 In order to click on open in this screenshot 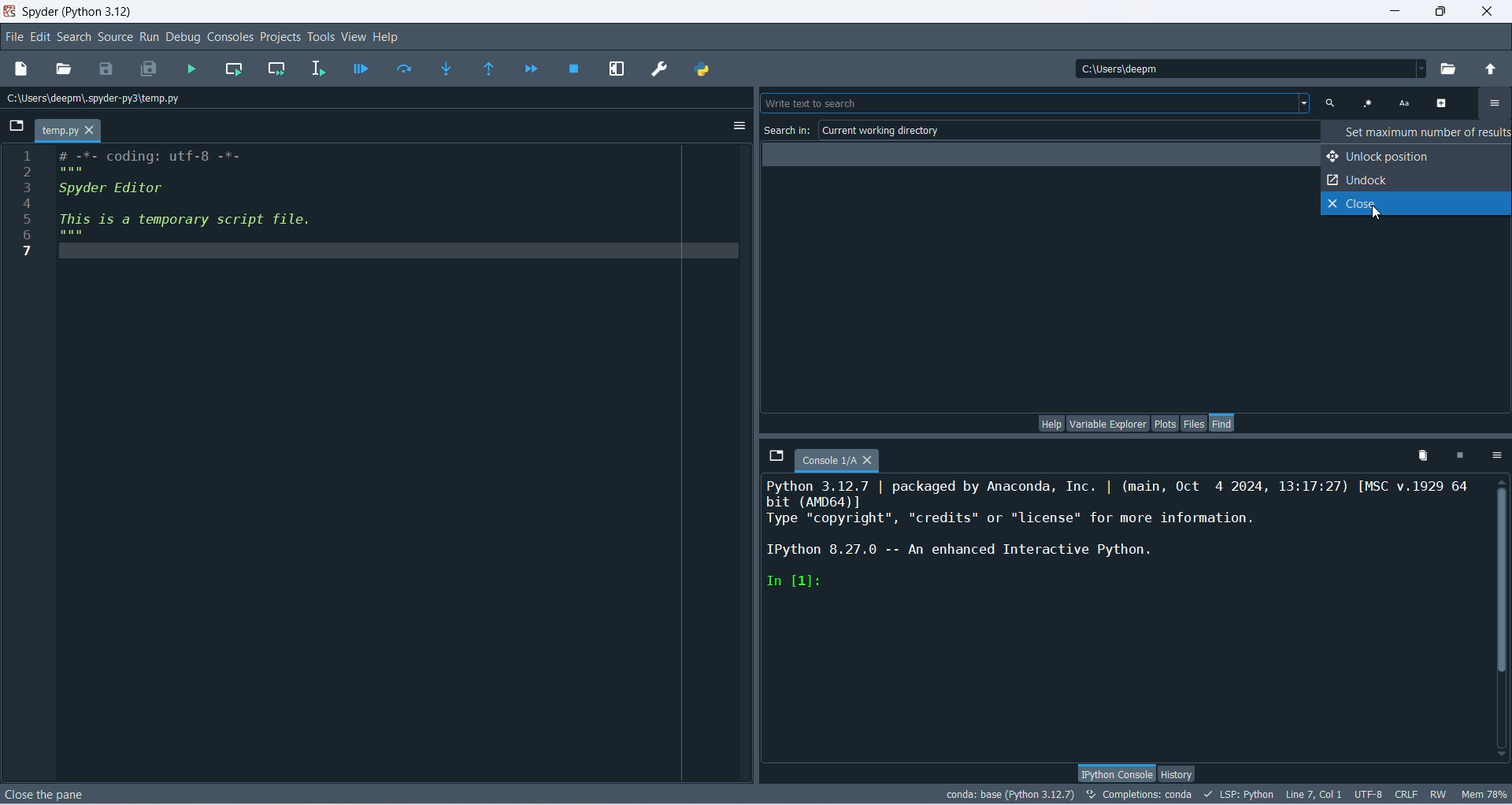, I will do `click(64, 70)`.